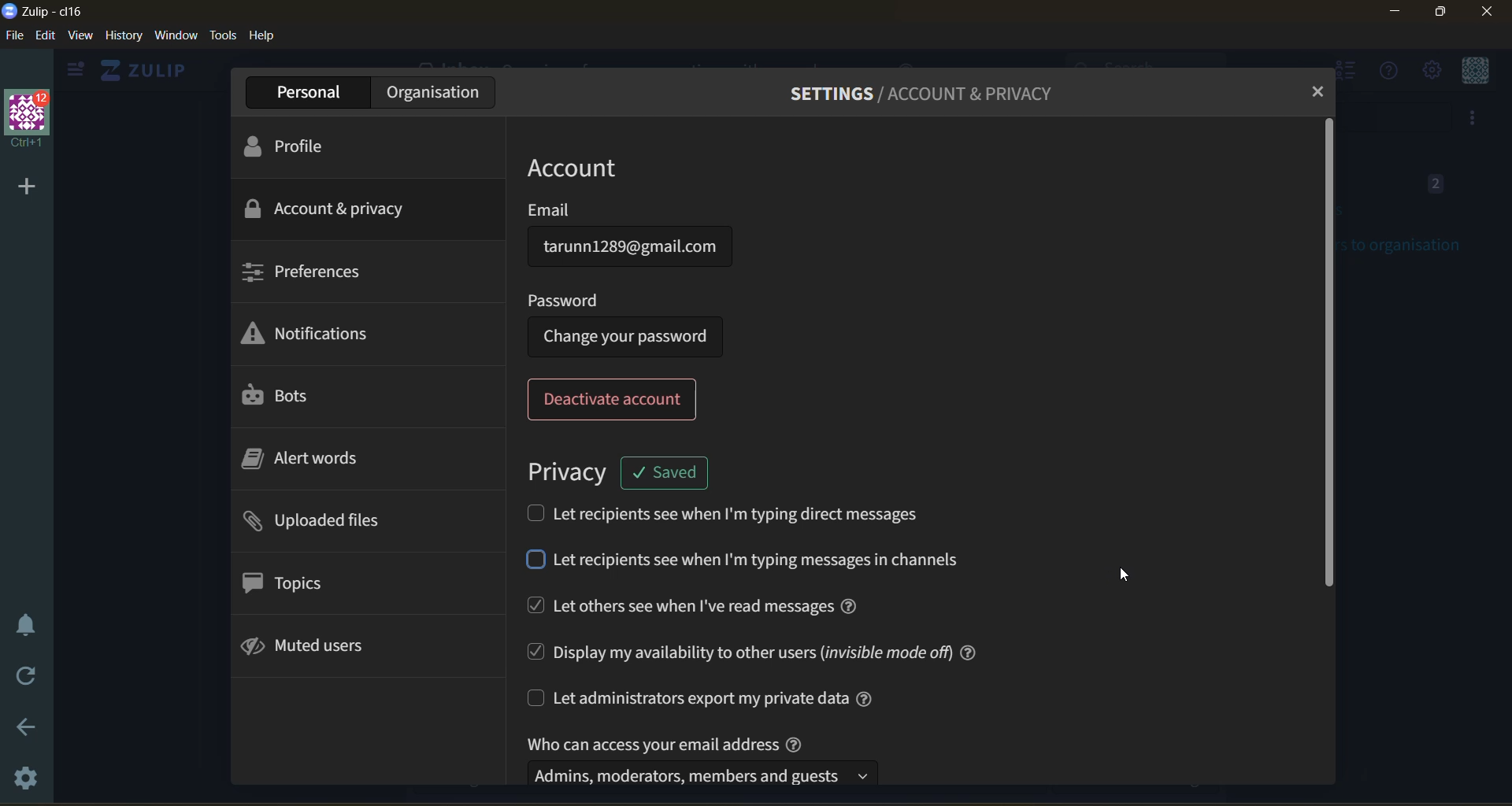 The image size is (1512, 806). I want to click on close tab, so click(1314, 92).